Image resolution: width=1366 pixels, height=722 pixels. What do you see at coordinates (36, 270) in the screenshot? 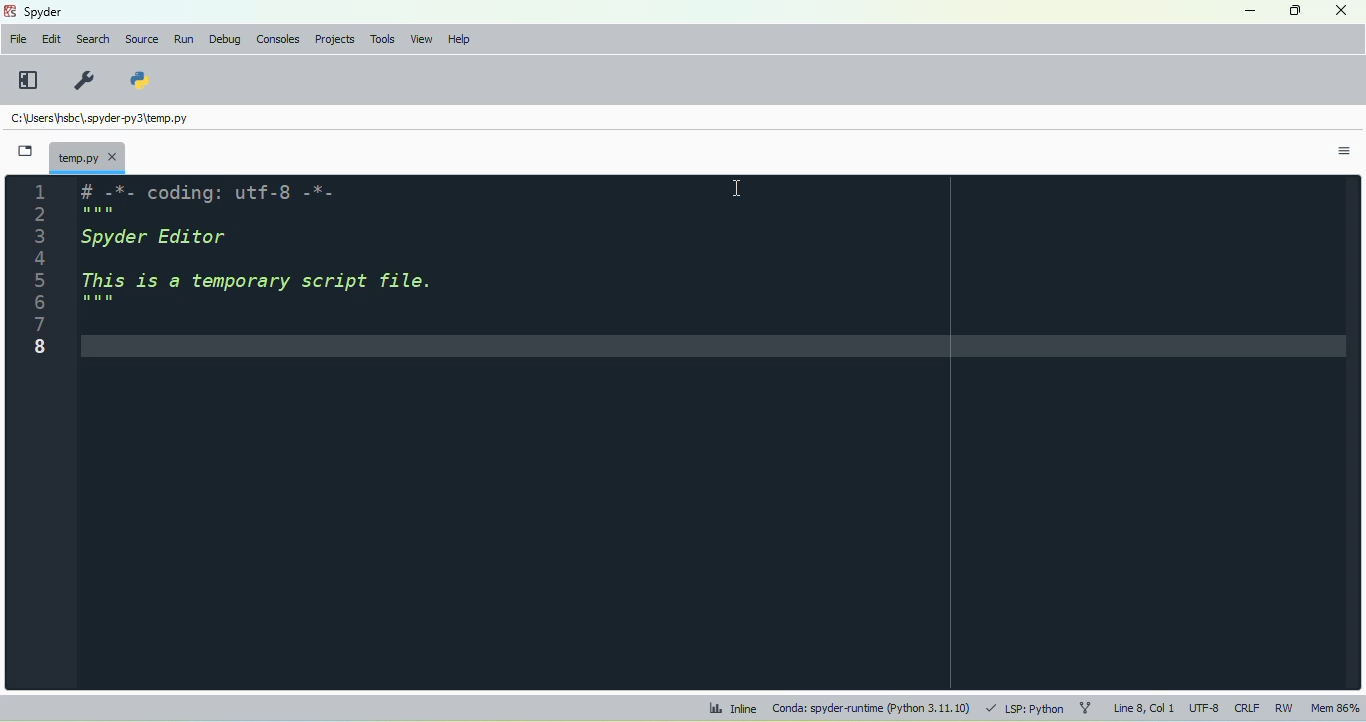
I see `line numbers` at bounding box center [36, 270].